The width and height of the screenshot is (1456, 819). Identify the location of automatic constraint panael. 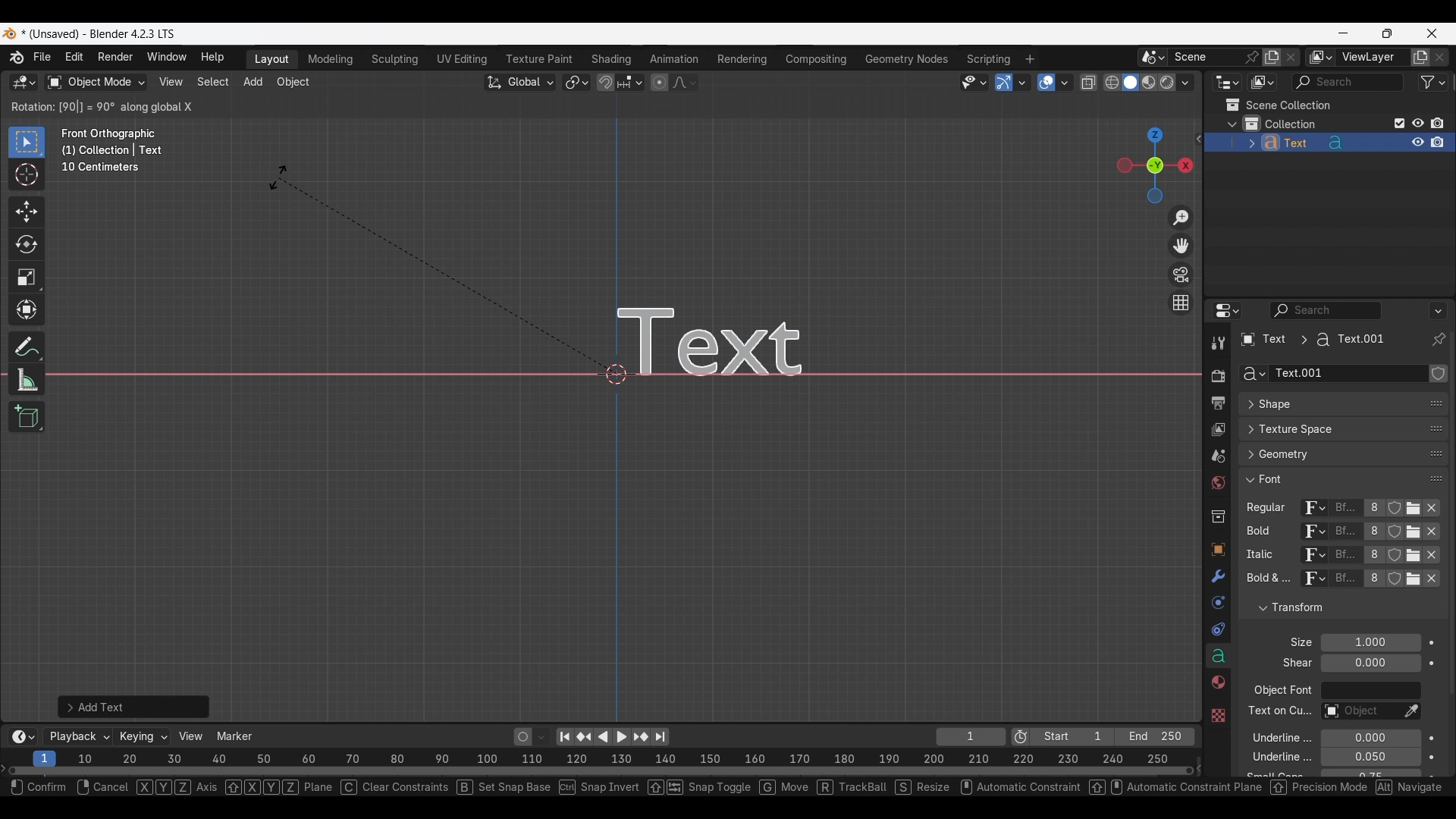
(1178, 788).